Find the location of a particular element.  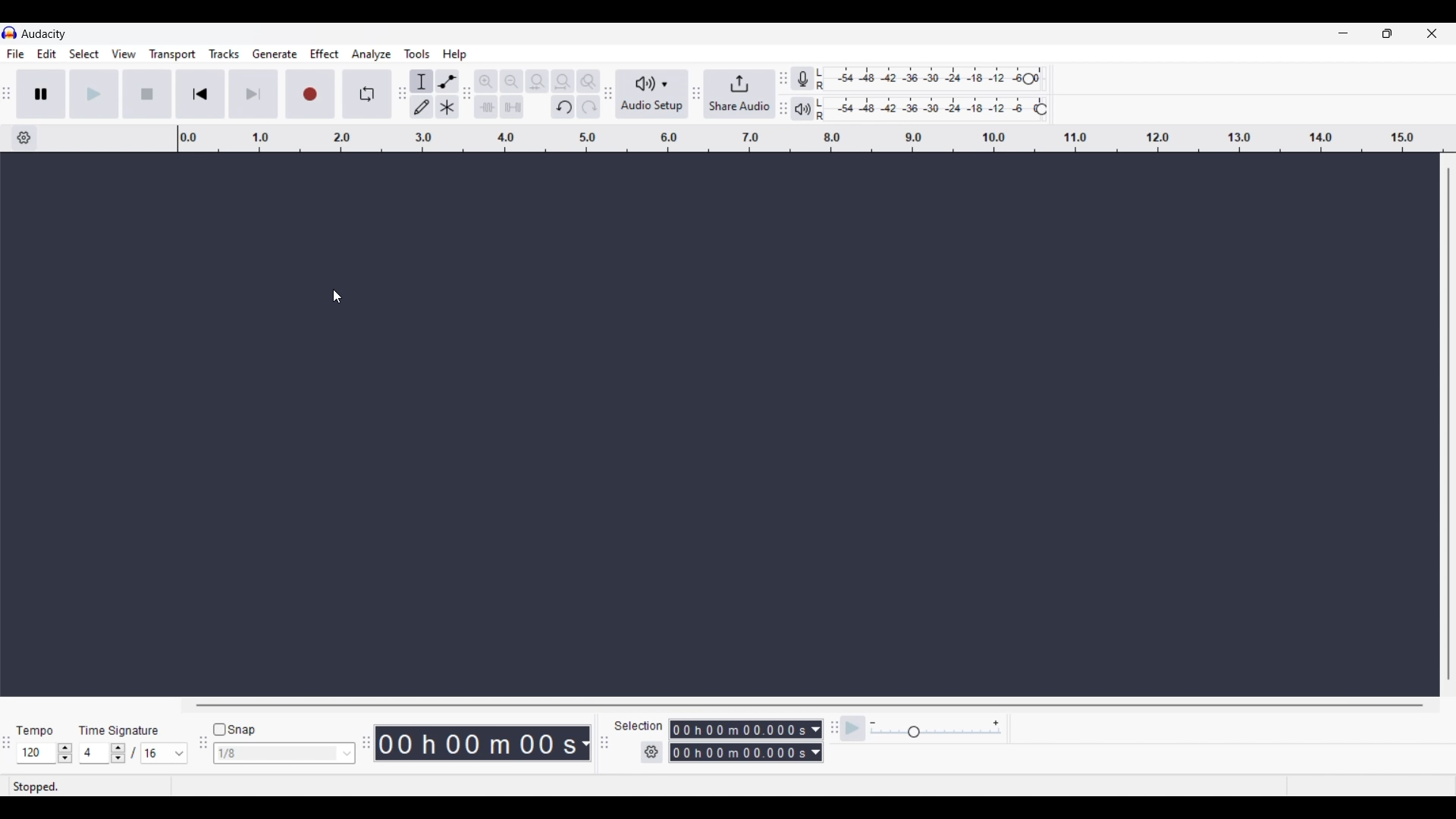

Recording level is located at coordinates (929, 80).